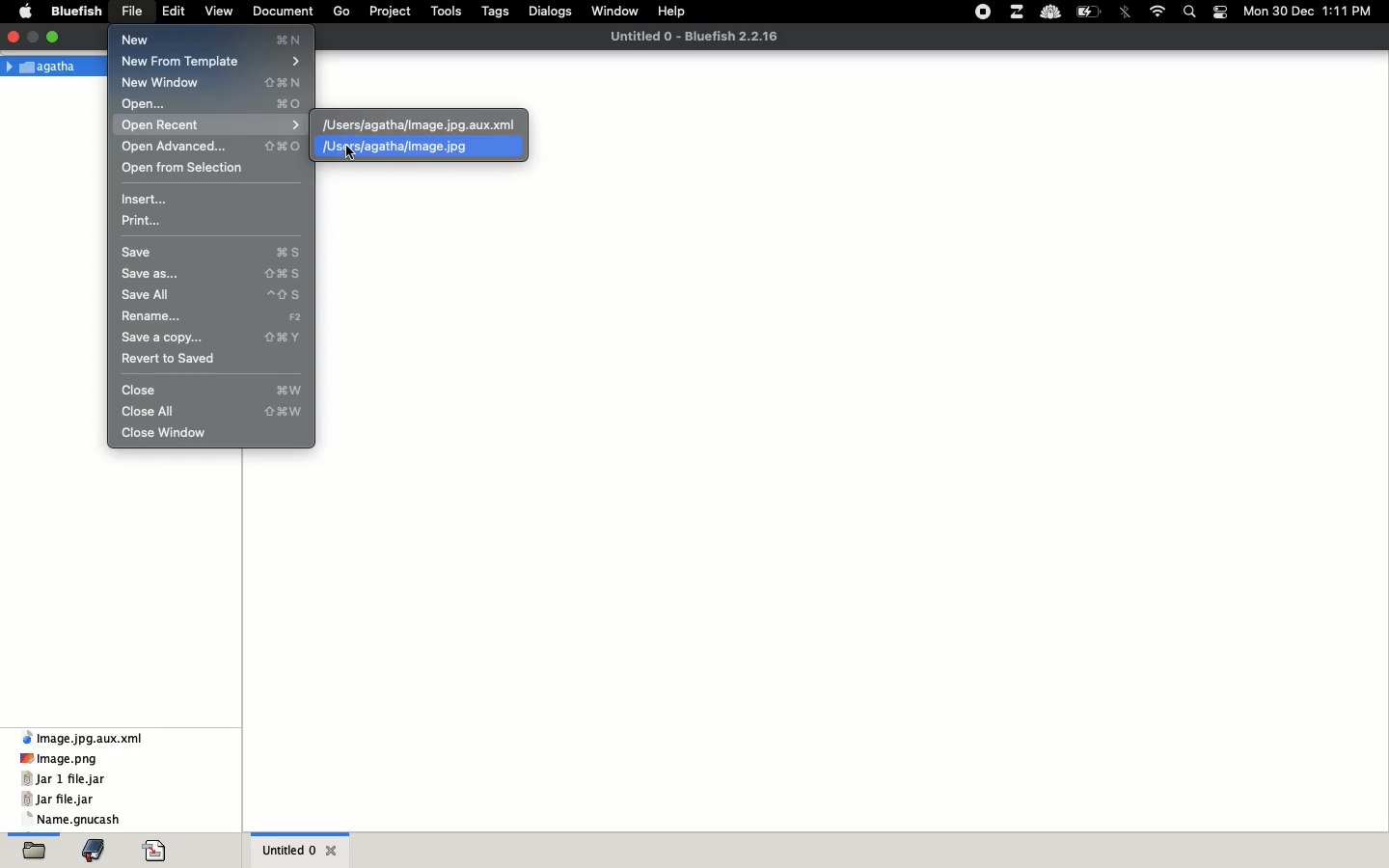 This screenshot has width=1389, height=868. What do you see at coordinates (13, 34) in the screenshot?
I see `close` at bounding box center [13, 34].